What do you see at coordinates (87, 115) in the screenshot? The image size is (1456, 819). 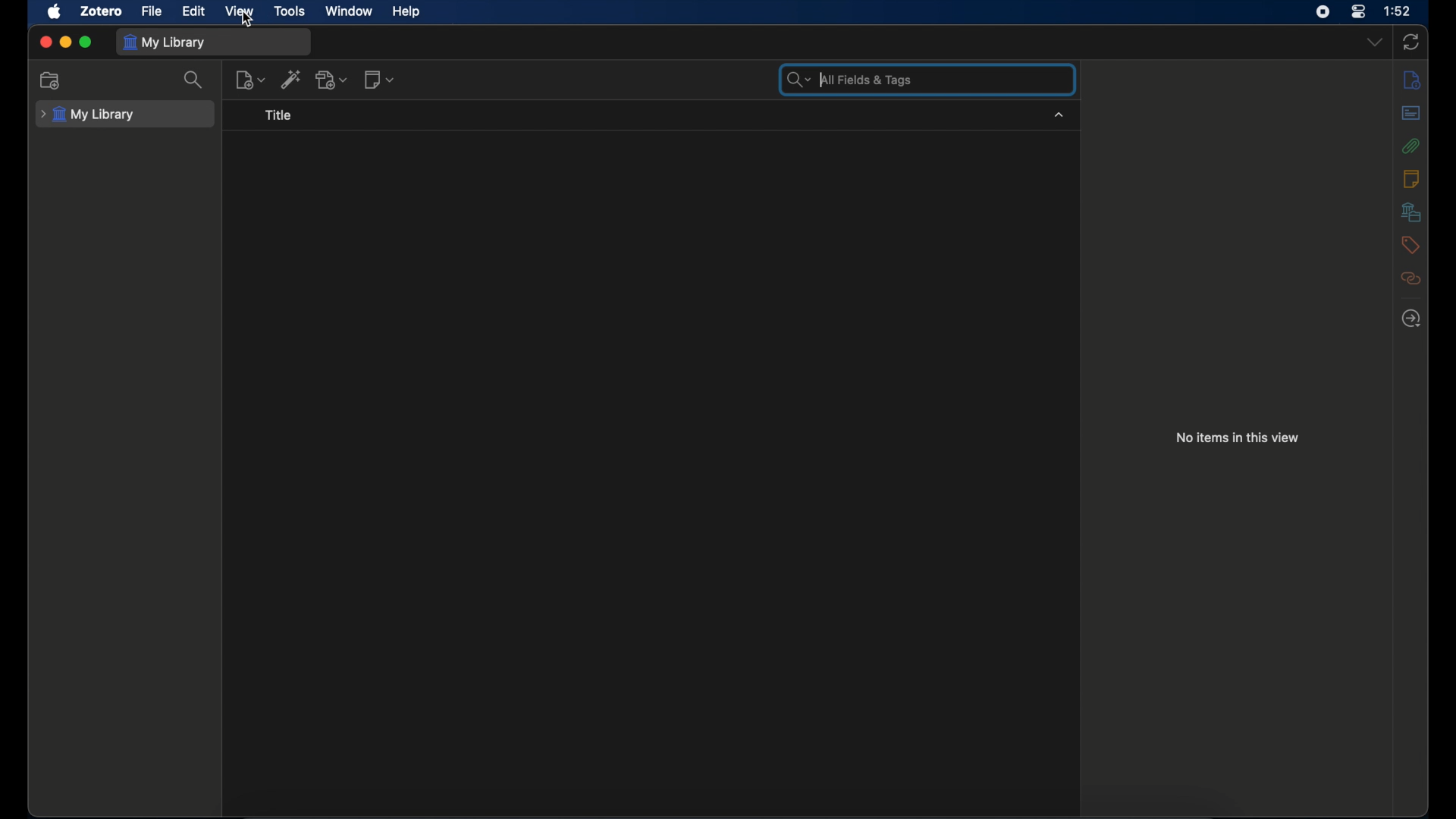 I see `my library` at bounding box center [87, 115].